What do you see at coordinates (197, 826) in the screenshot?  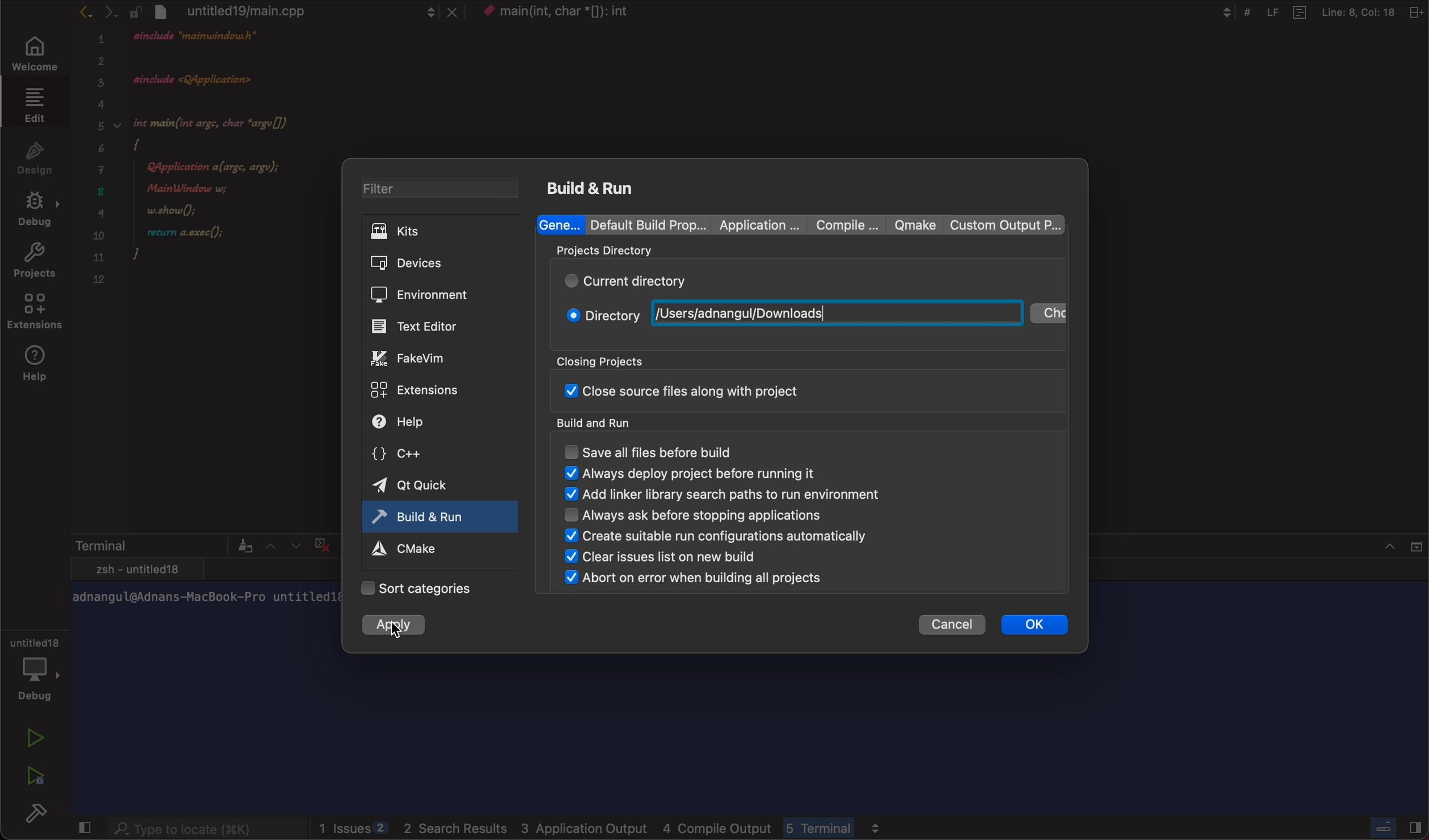 I see `searchbar` at bounding box center [197, 826].